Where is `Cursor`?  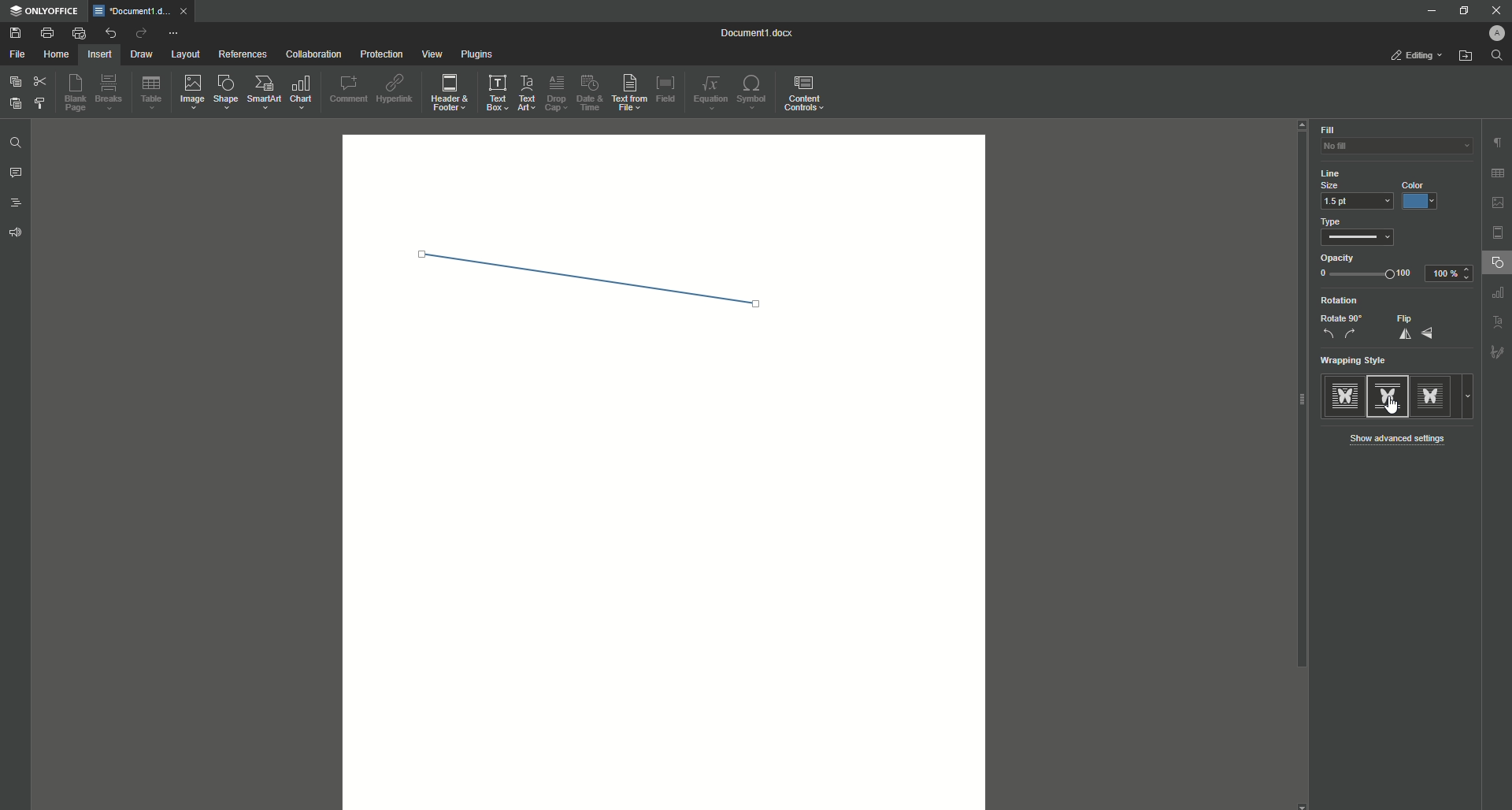 Cursor is located at coordinates (1387, 406).